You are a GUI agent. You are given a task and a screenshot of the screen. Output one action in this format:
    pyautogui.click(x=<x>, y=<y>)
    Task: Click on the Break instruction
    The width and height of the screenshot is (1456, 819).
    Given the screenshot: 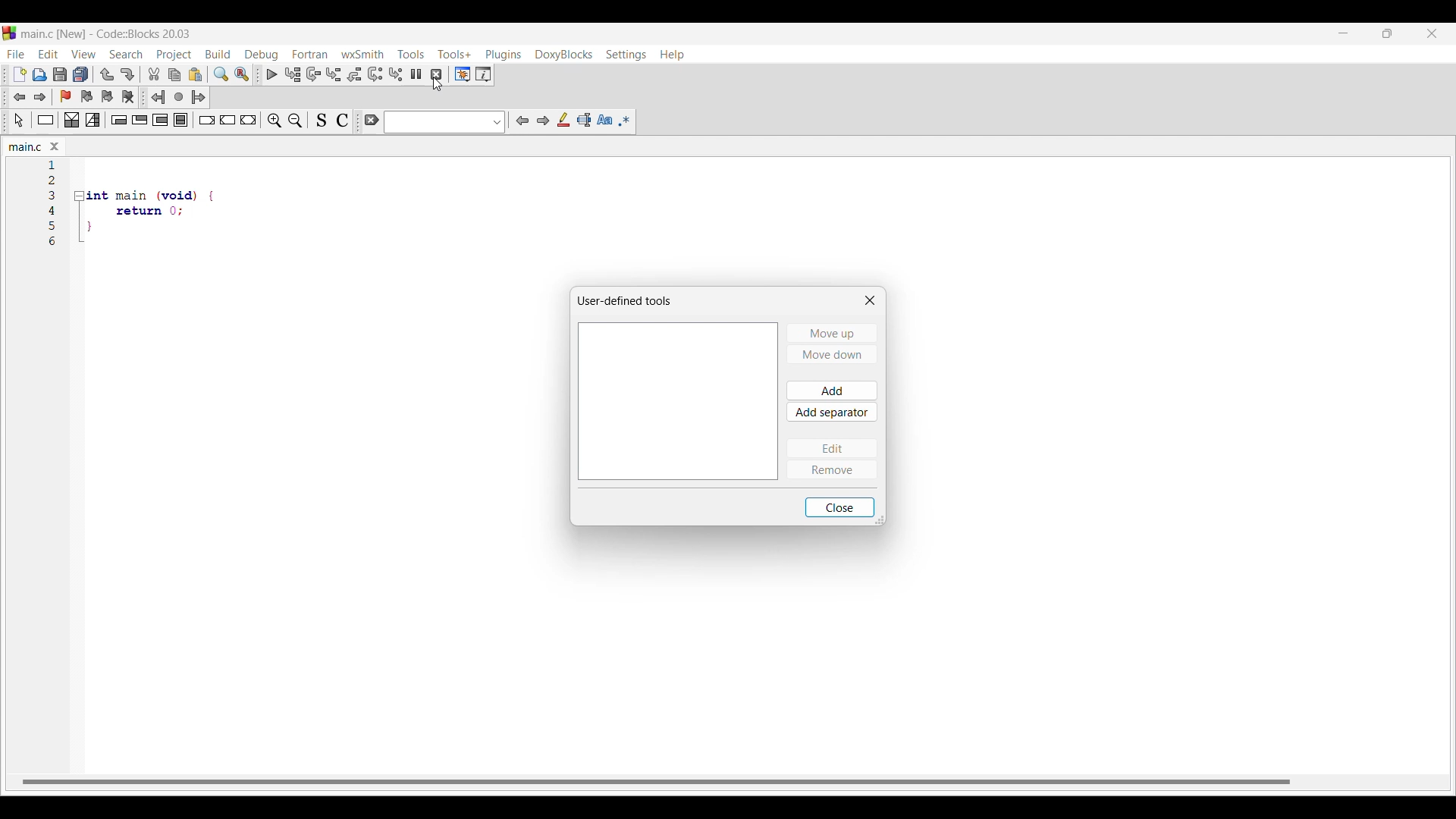 What is the action you would take?
    pyautogui.click(x=207, y=121)
    